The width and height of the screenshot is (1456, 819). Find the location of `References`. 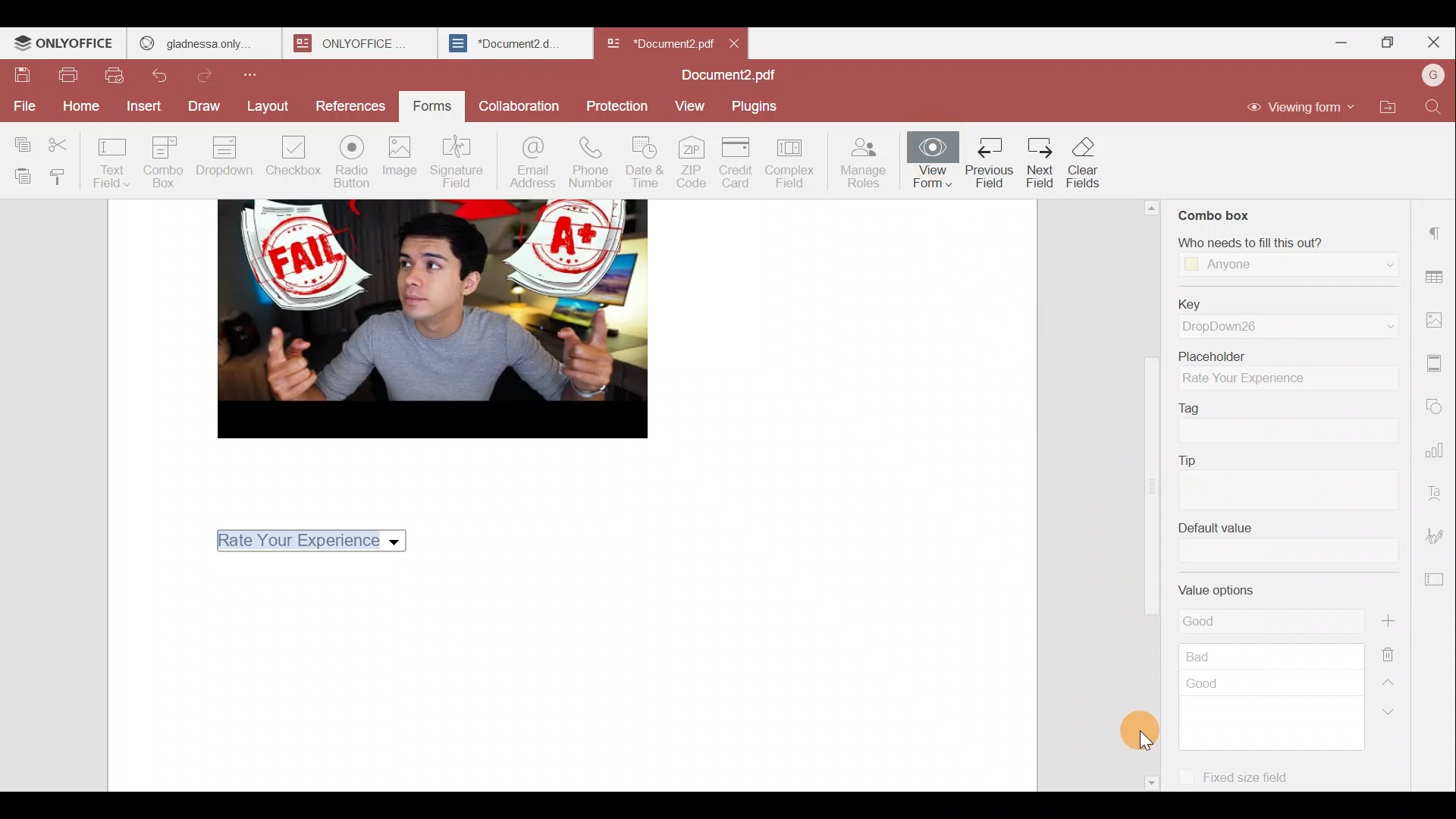

References is located at coordinates (347, 104).